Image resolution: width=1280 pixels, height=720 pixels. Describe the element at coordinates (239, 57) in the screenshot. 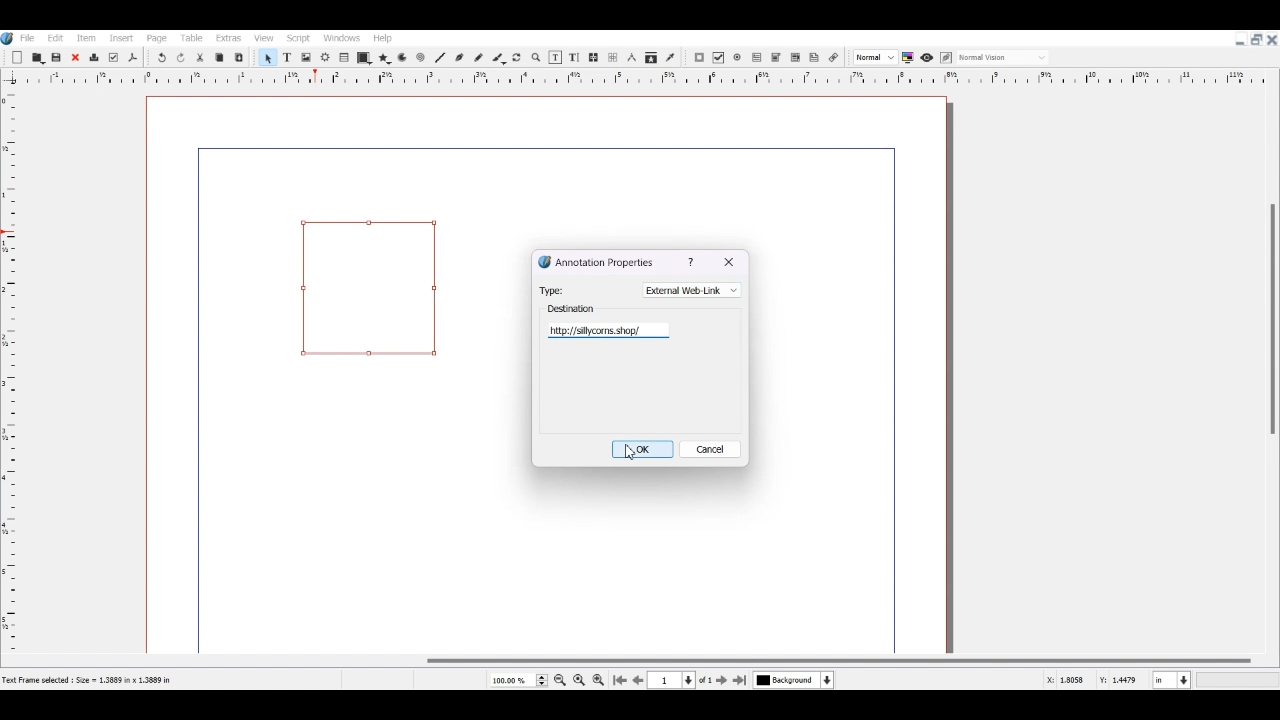

I see `Paste` at that location.